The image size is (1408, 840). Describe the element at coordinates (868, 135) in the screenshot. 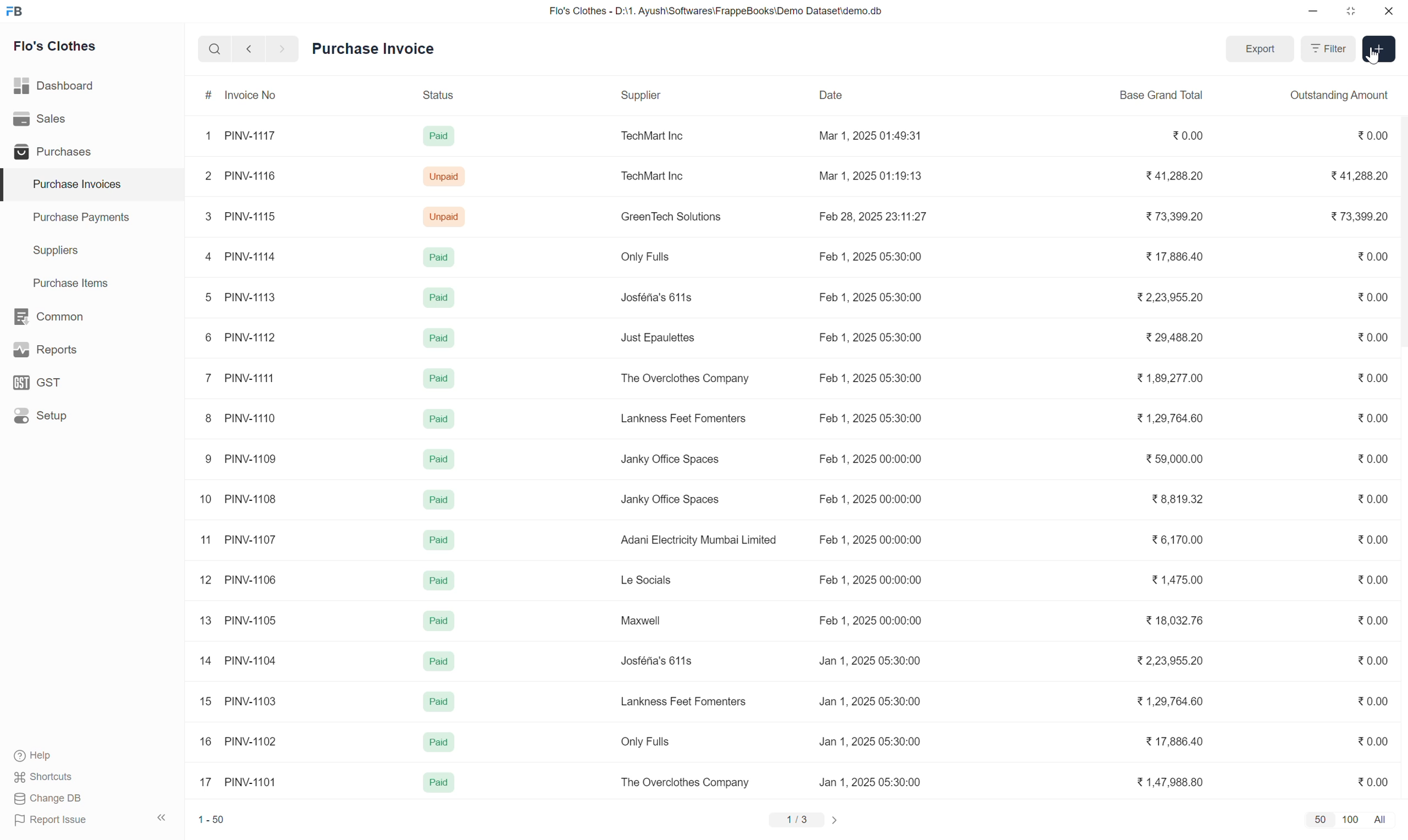

I see `Mar 1, 2025 01:49:31` at that location.